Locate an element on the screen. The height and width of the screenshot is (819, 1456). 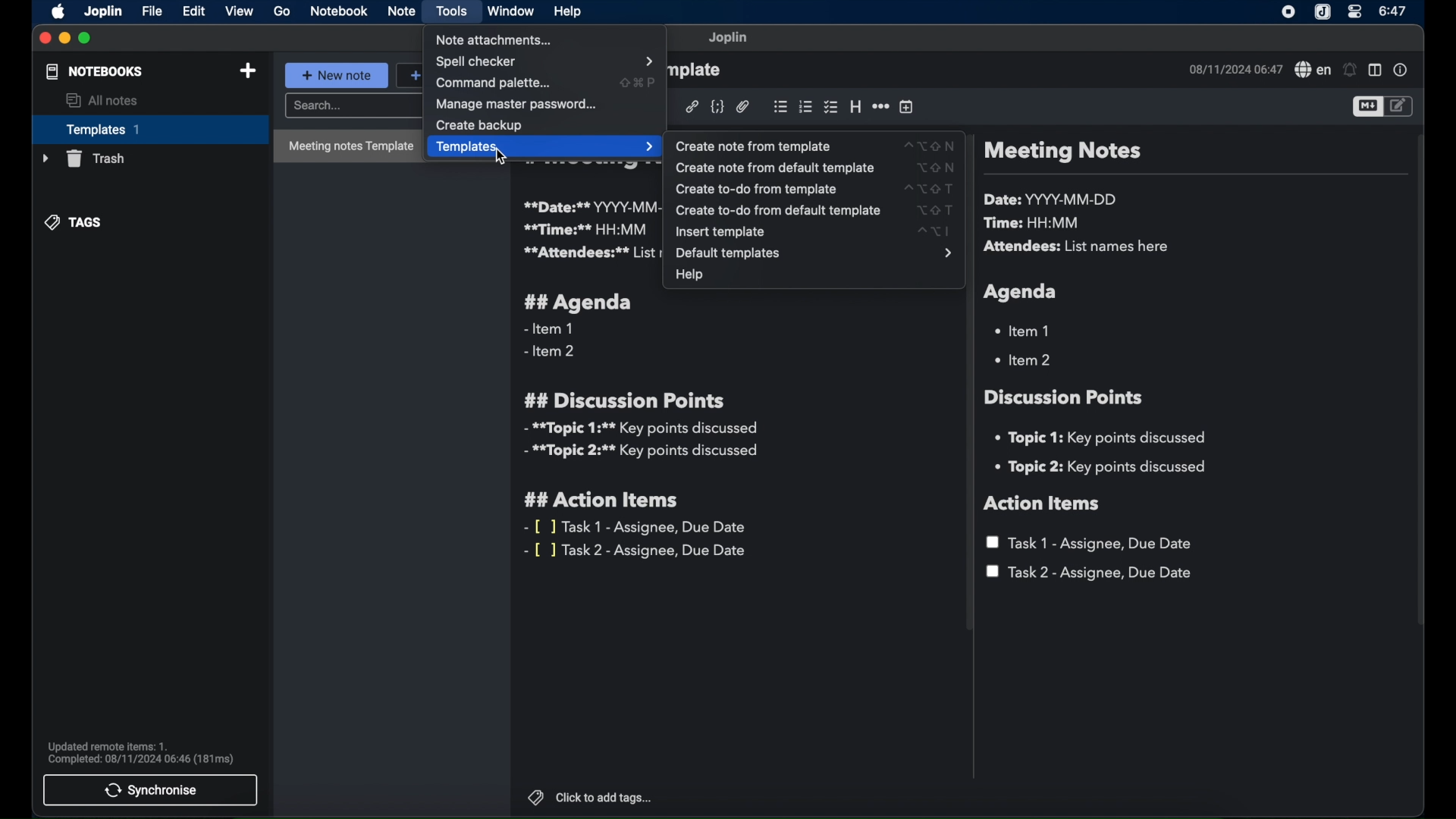
## discussion points is located at coordinates (624, 400).